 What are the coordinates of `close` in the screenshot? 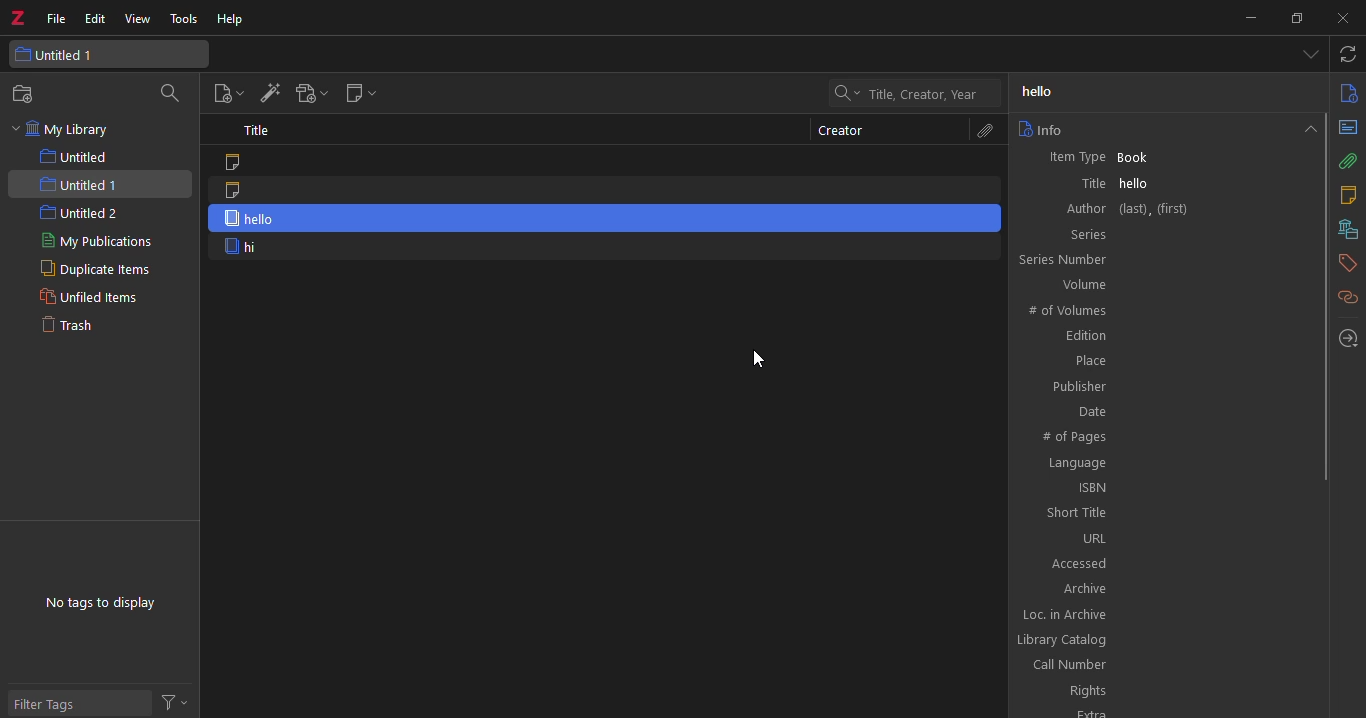 It's located at (1337, 18).